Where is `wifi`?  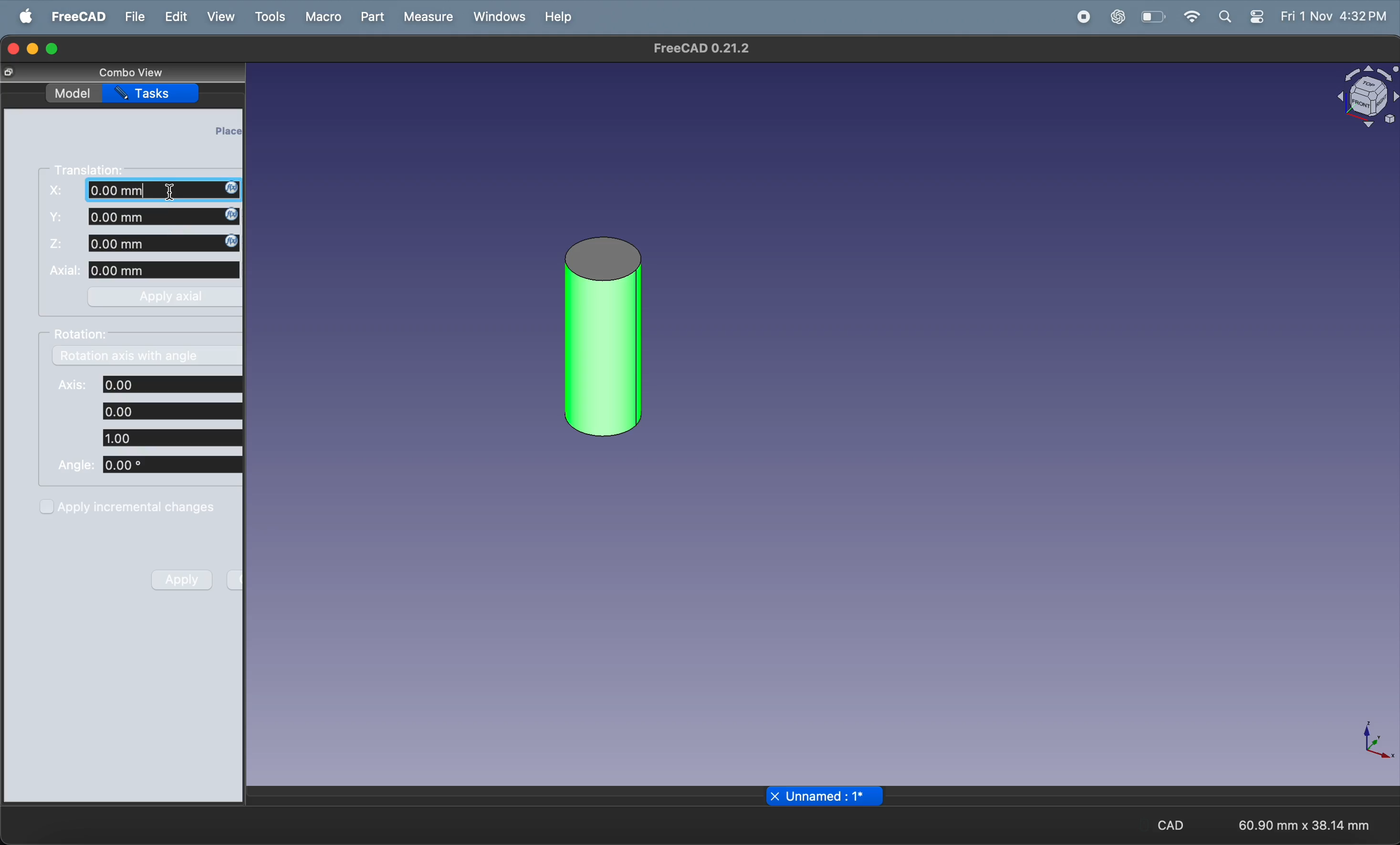 wifi is located at coordinates (1191, 16).